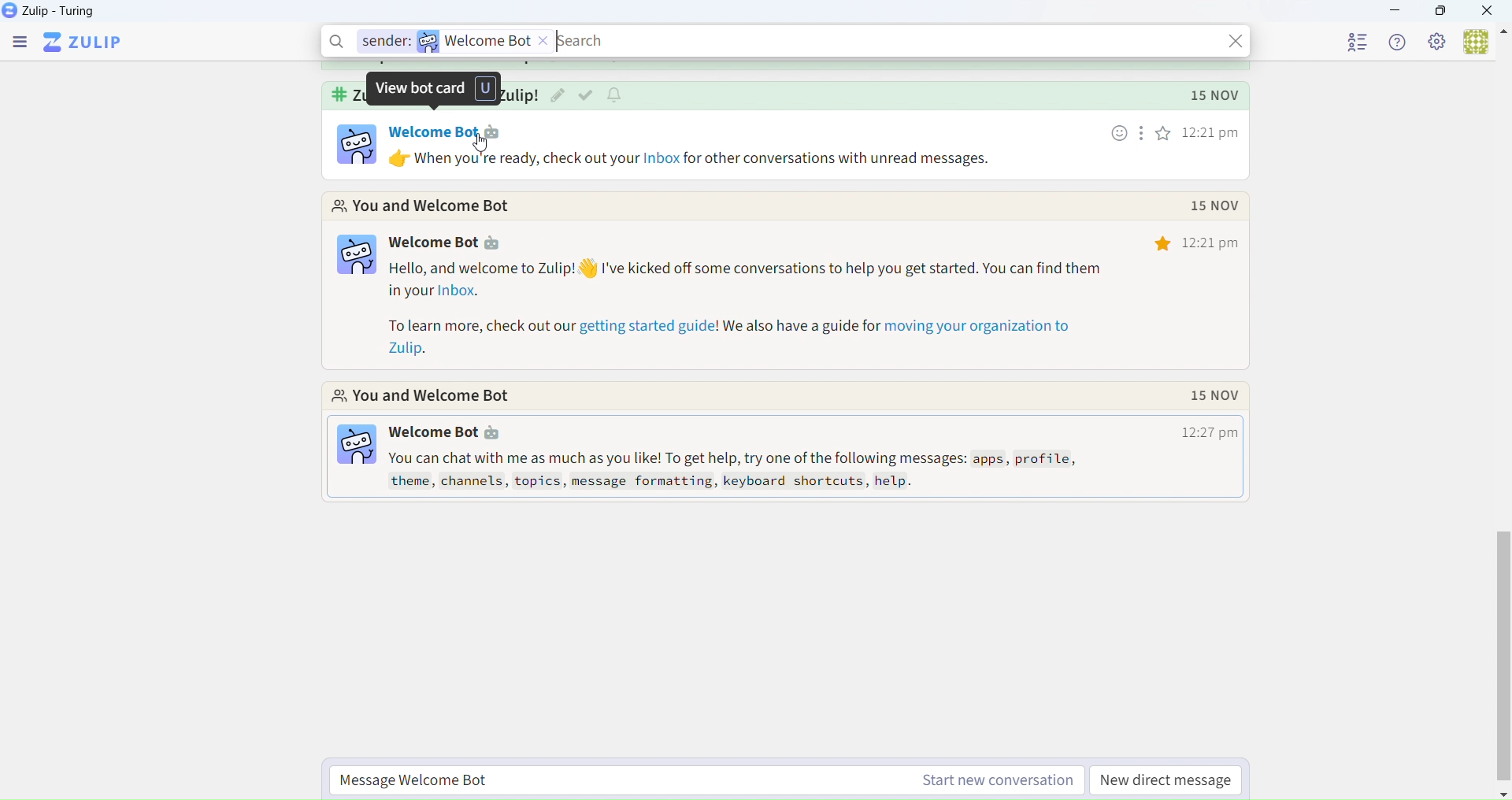 This screenshot has width=1512, height=800. I want to click on Settings, so click(1438, 43).